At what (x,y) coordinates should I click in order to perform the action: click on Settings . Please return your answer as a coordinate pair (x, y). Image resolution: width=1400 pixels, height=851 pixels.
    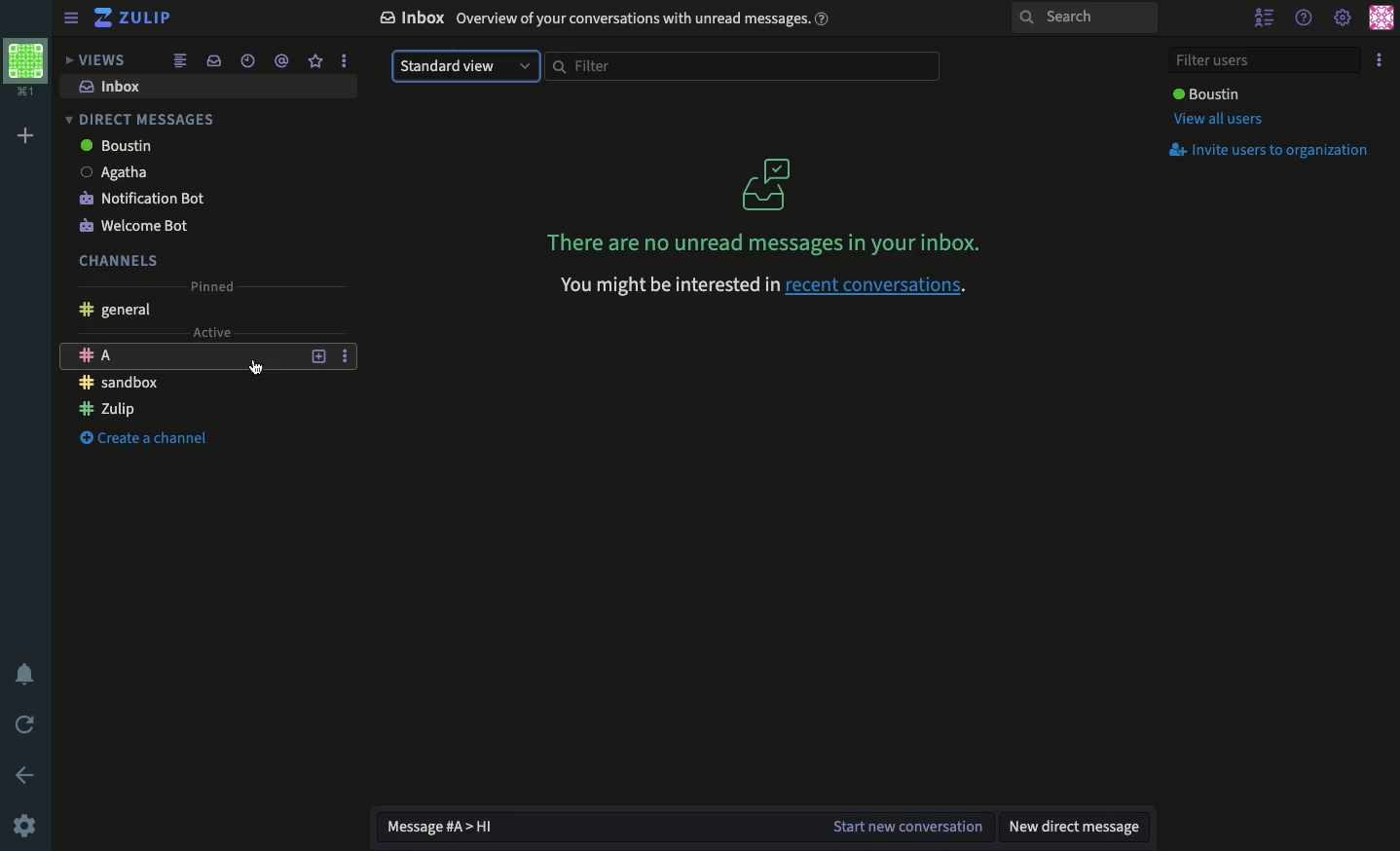
    Looking at the image, I should click on (1342, 19).